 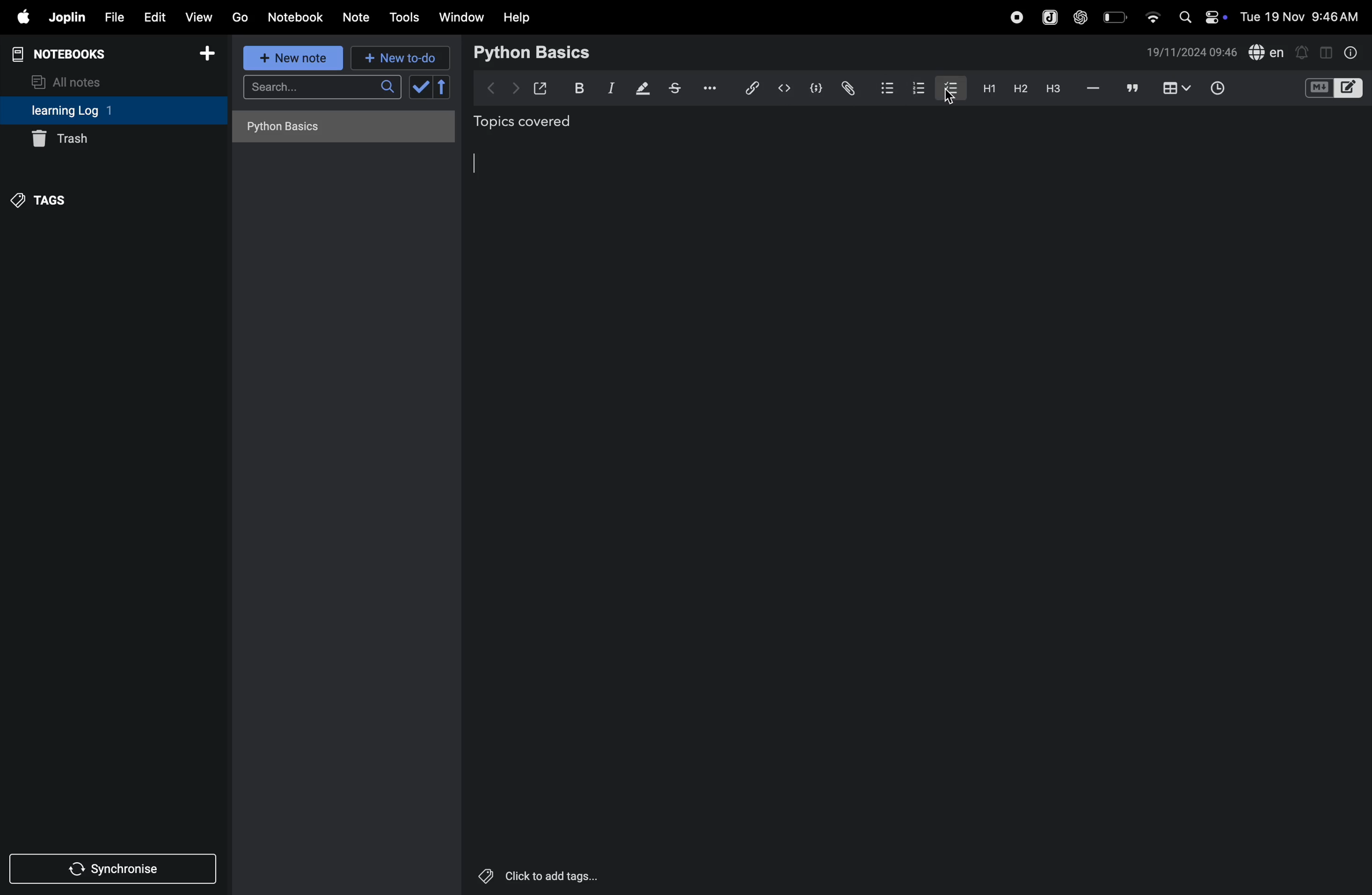 What do you see at coordinates (1081, 16) in the screenshot?
I see `chatgpt` at bounding box center [1081, 16].